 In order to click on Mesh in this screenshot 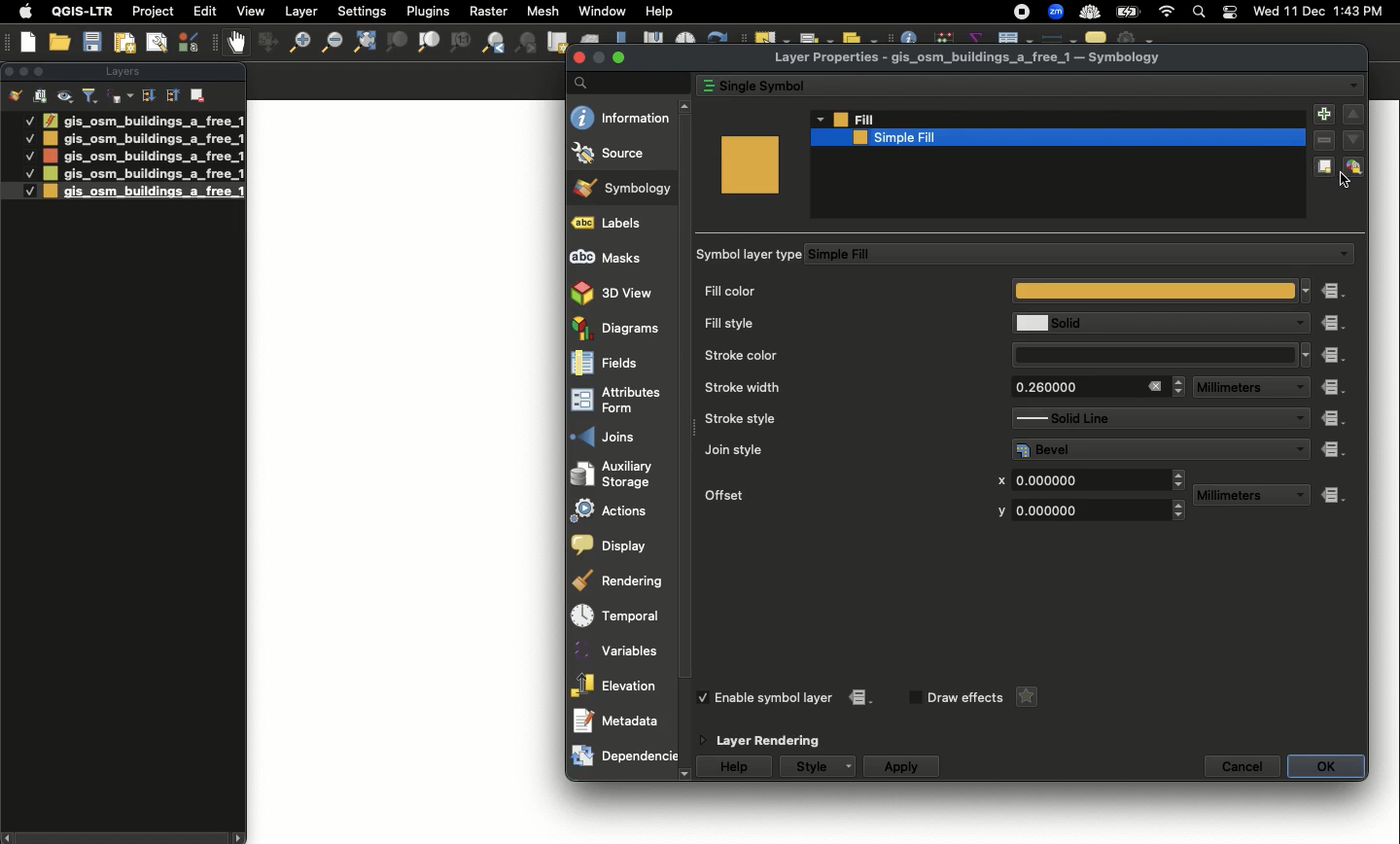, I will do `click(542, 11)`.